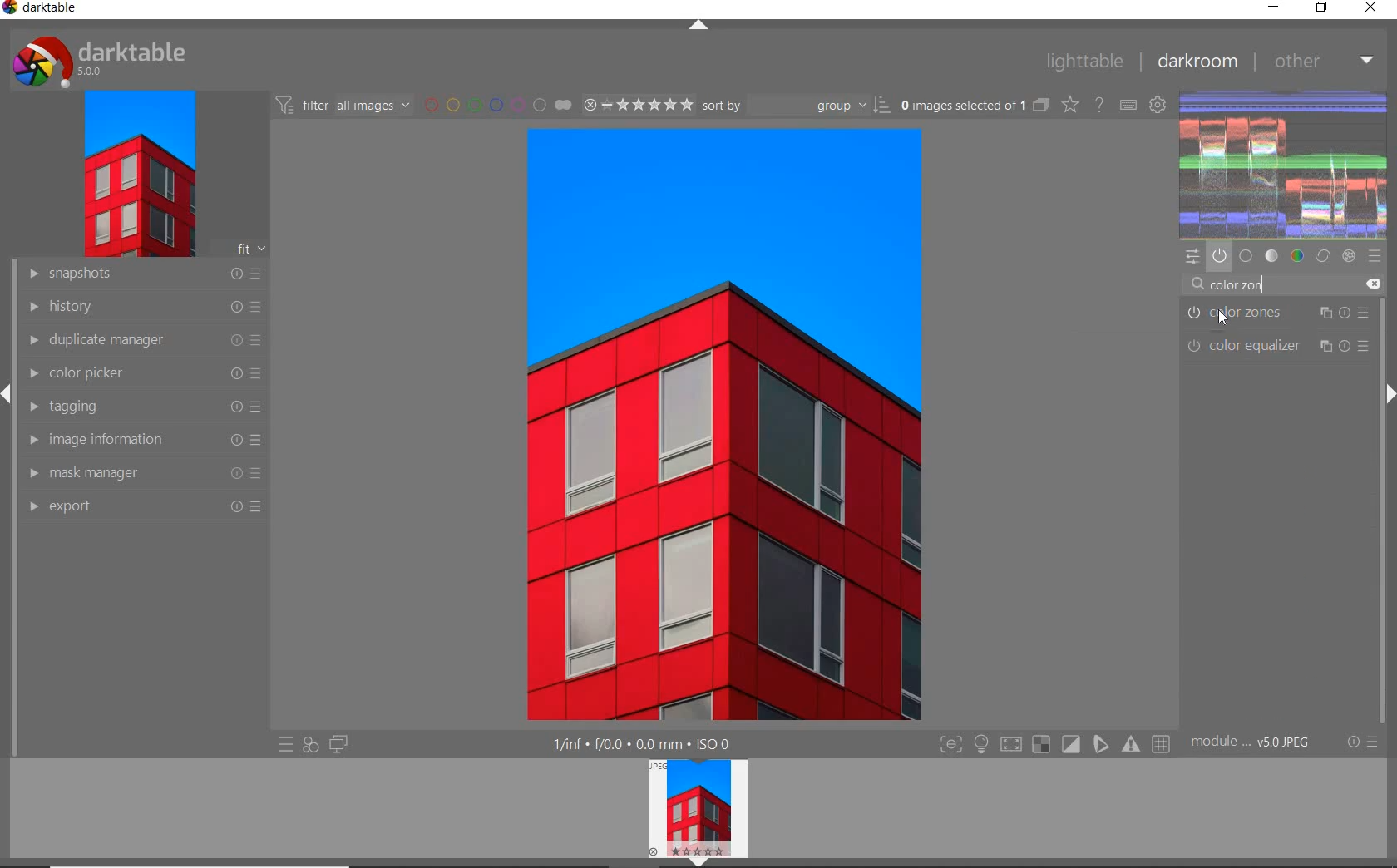 The height and width of the screenshot is (868, 1397). What do you see at coordinates (1362, 743) in the screenshot?
I see `reset or presets & preferences` at bounding box center [1362, 743].